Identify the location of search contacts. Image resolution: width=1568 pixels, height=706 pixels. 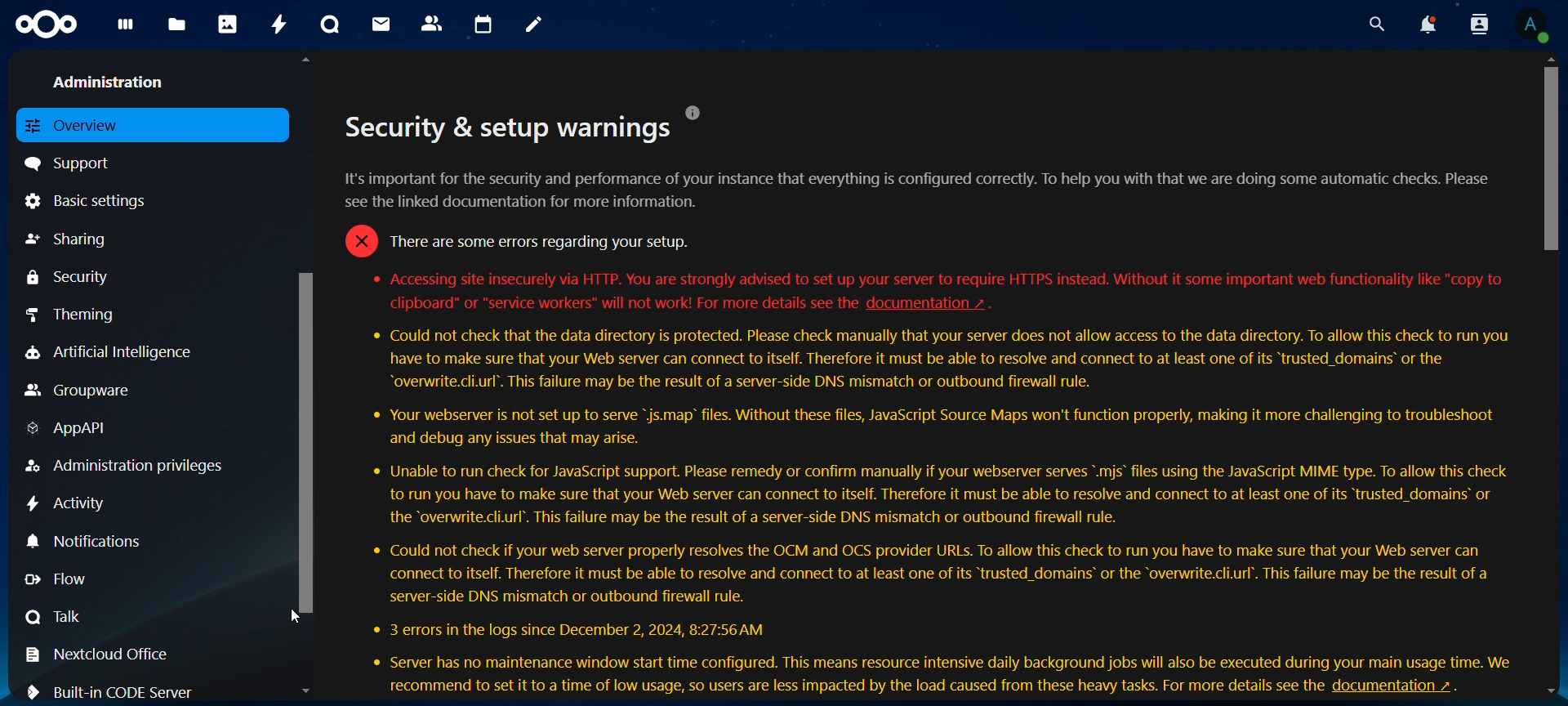
(1483, 25).